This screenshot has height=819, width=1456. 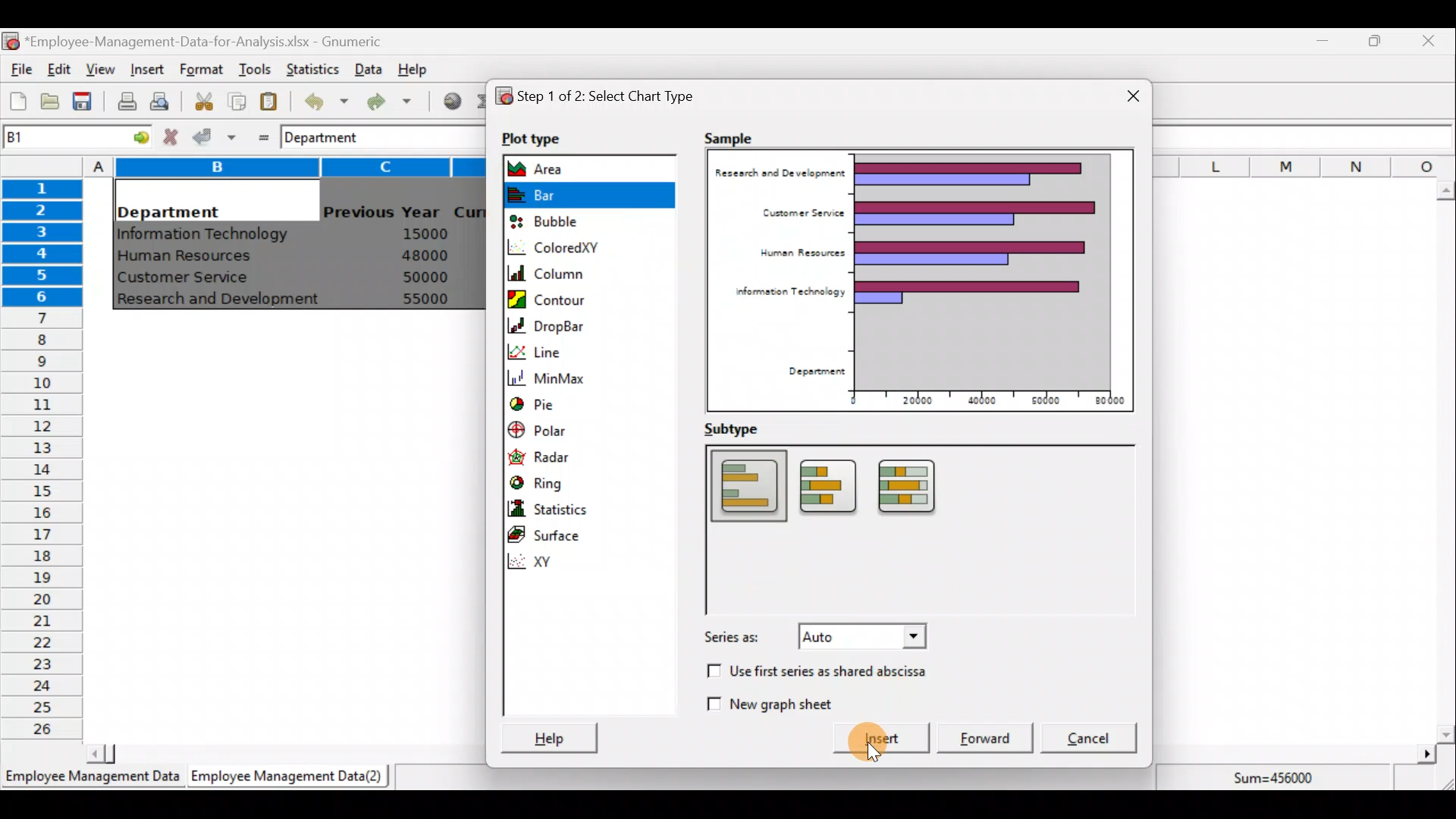 What do you see at coordinates (596, 562) in the screenshot?
I see `XY` at bounding box center [596, 562].